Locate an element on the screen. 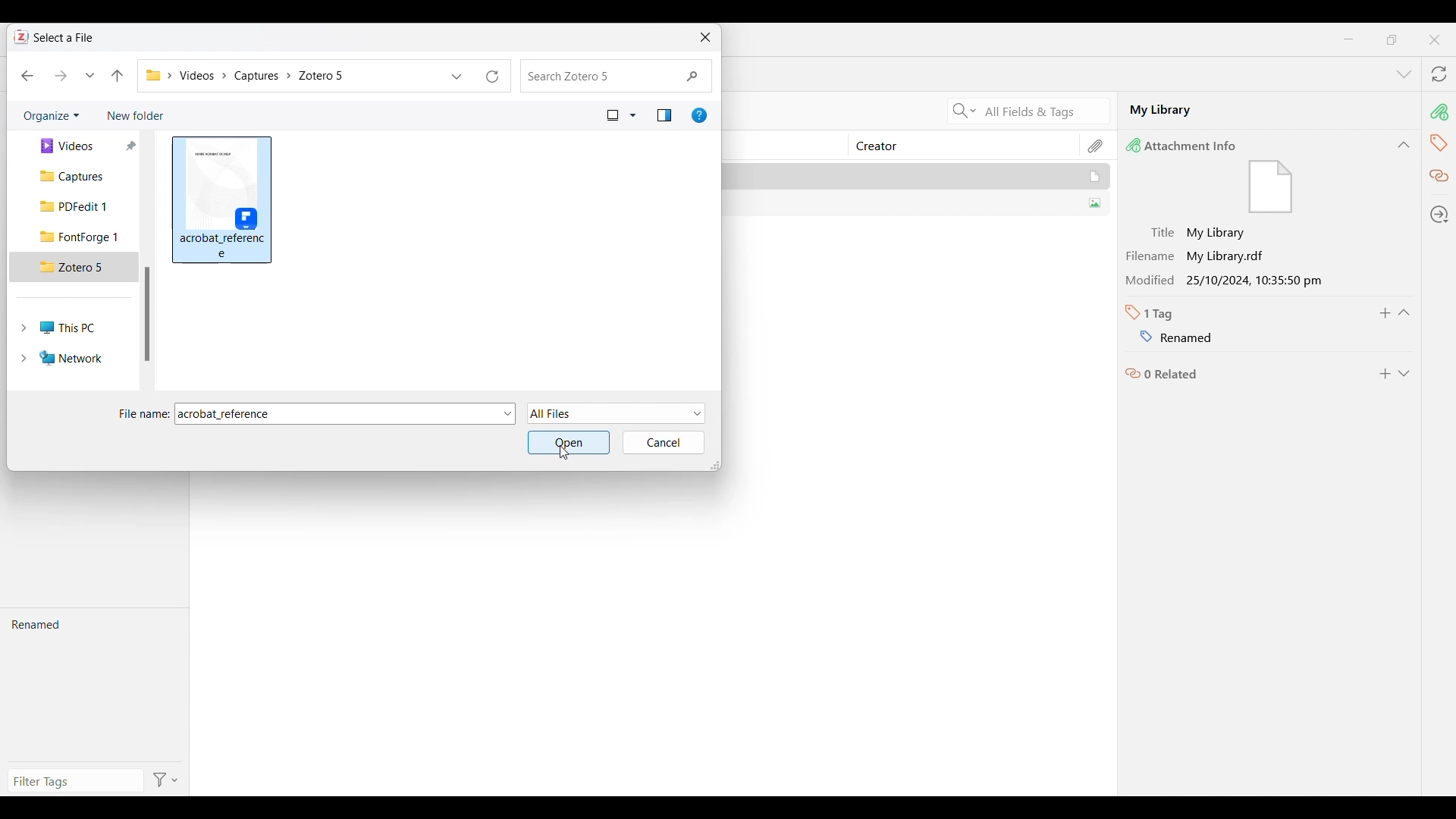 This screenshot has height=819, width=1456. SUMMER is located at coordinates (915, 204).